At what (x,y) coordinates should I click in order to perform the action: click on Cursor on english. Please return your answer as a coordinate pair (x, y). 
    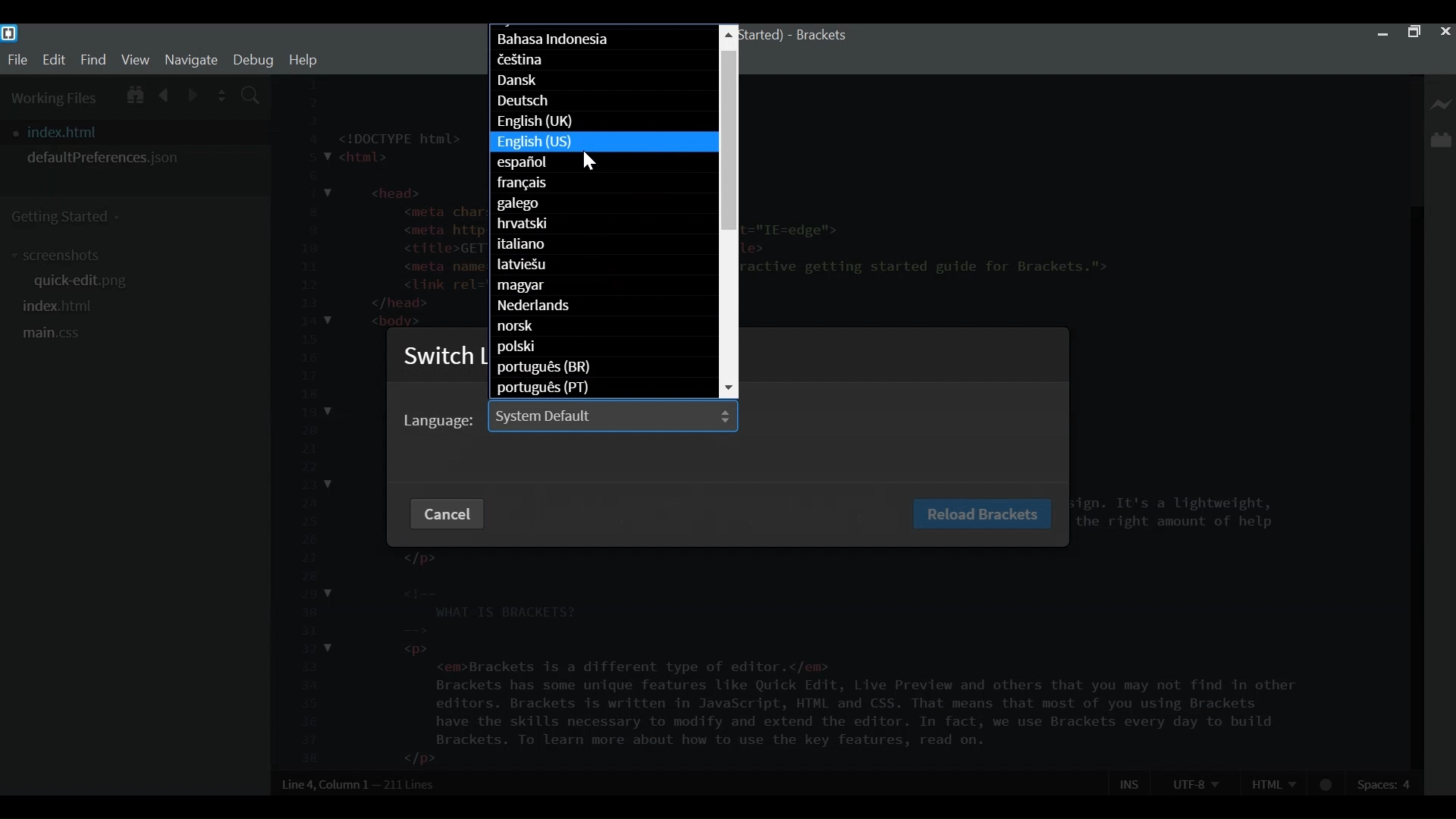
    Looking at the image, I should click on (595, 162).